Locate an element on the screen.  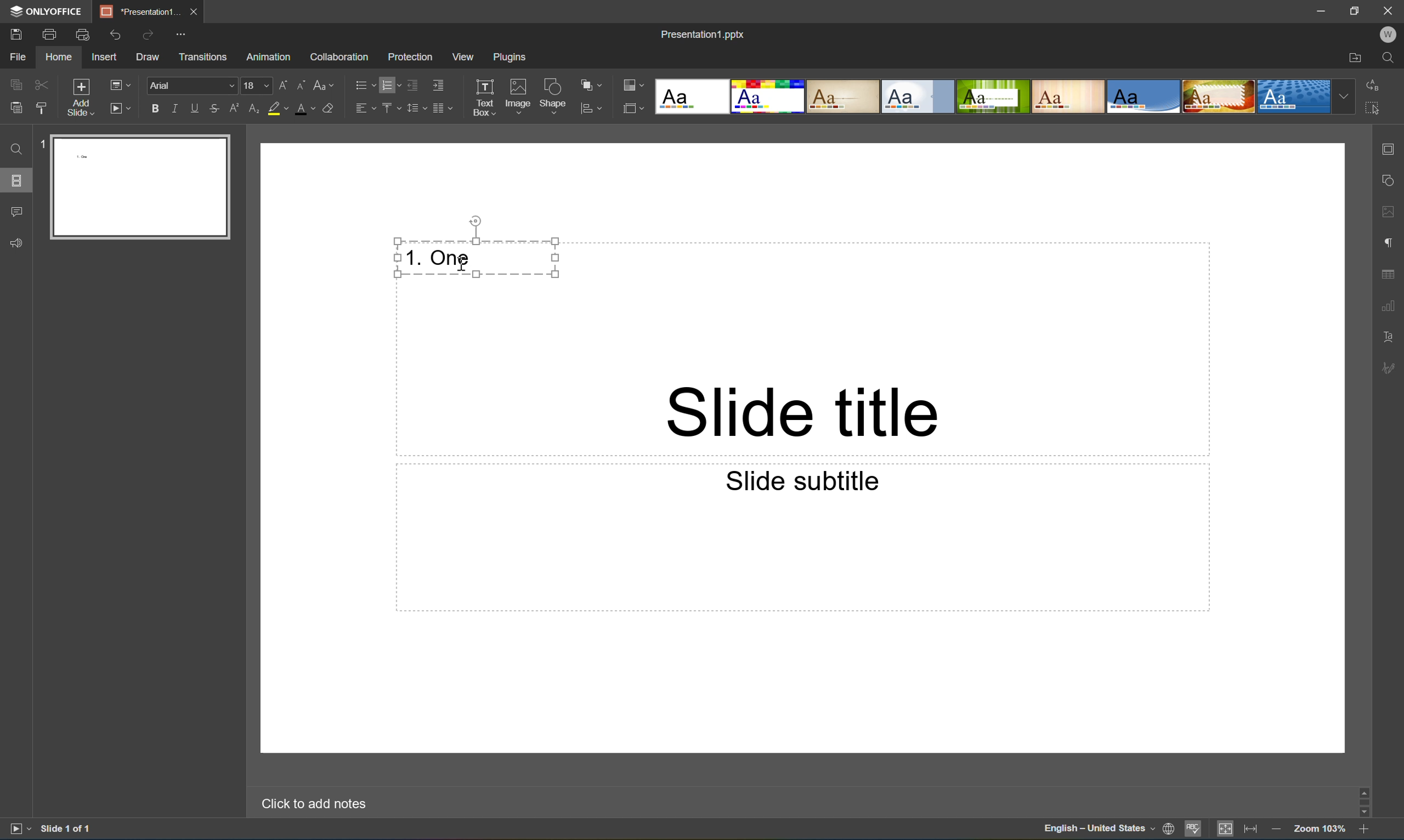
View is located at coordinates (464, 57).